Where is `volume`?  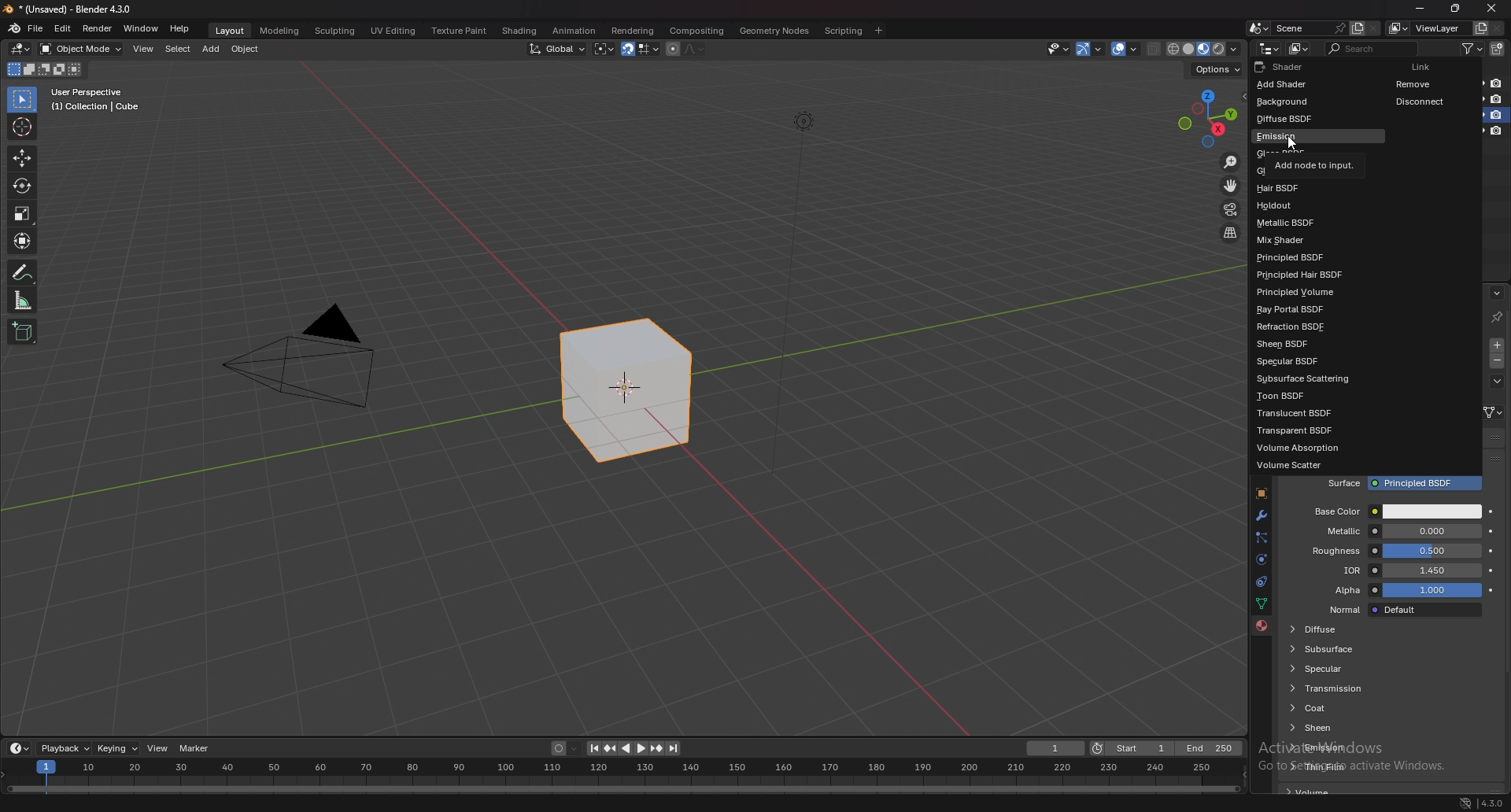 volume is located at coordinates (1311, 792).